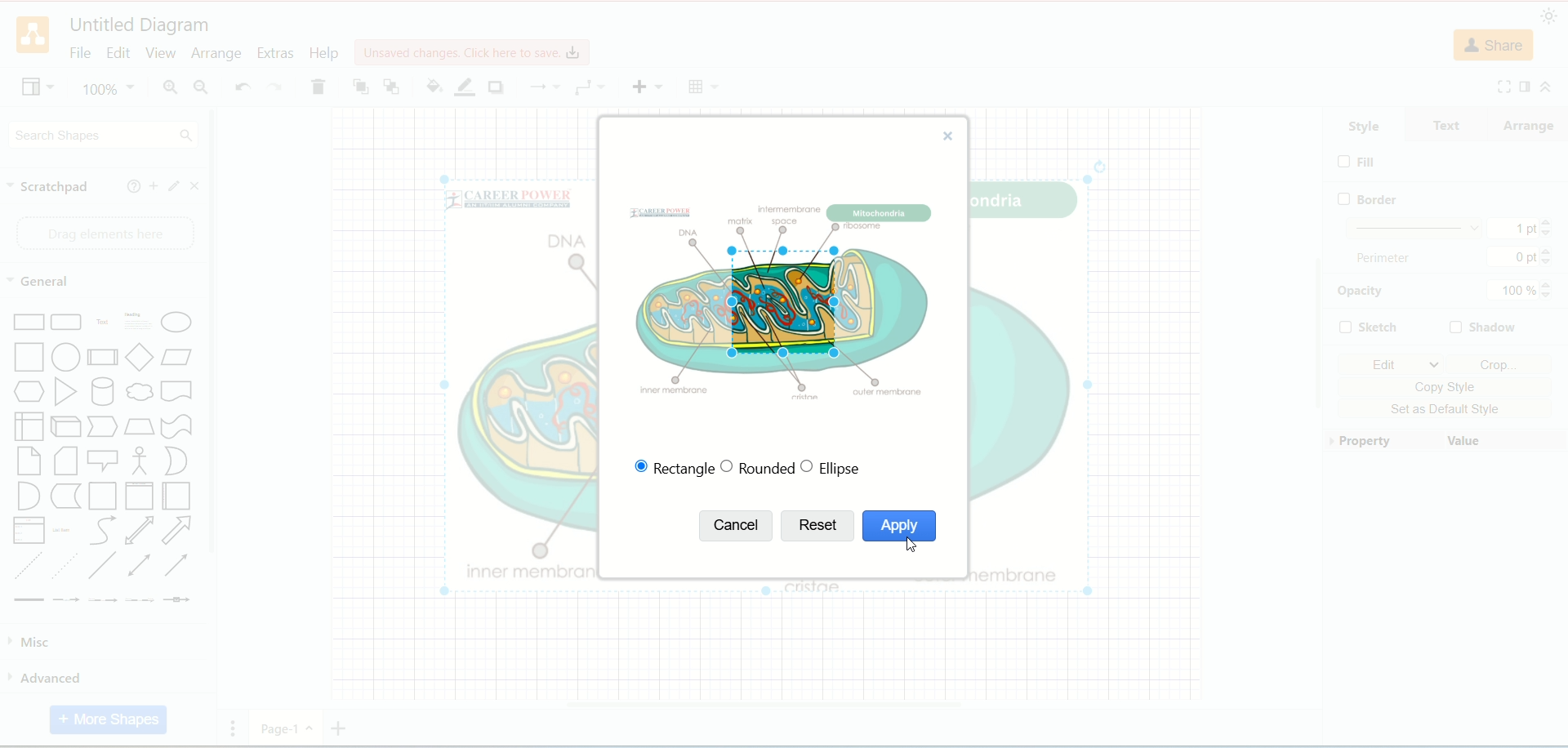  What do you see at coordinates (139, 393) in the screenshot?
I see `Thought Bubble` at bounding box center [139, 393].